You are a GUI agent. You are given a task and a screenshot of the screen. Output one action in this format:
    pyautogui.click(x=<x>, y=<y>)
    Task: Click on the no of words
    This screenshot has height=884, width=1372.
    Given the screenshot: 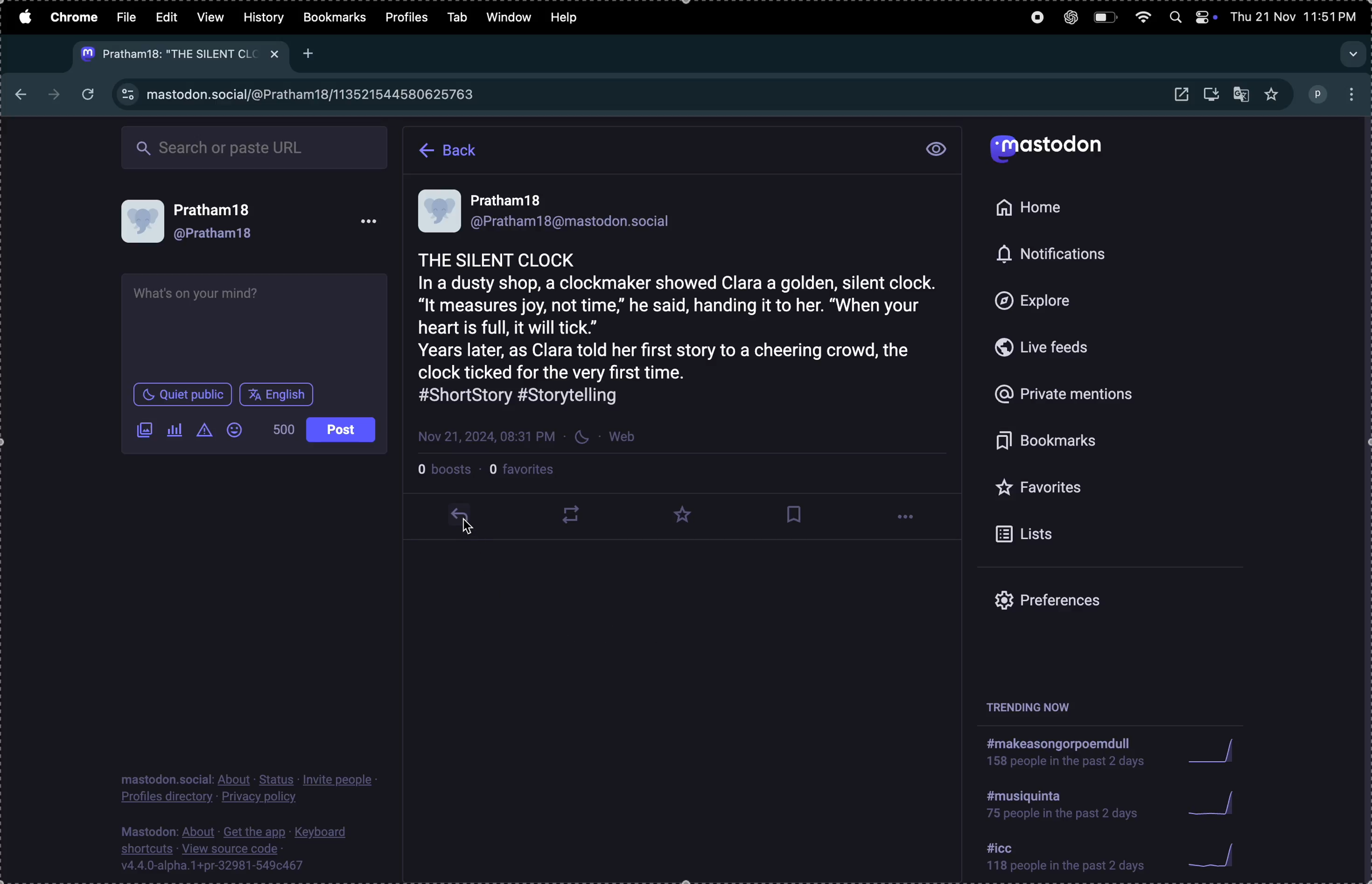 What is the action you would take?
    pyautogui.click(x=278, y=429)
    